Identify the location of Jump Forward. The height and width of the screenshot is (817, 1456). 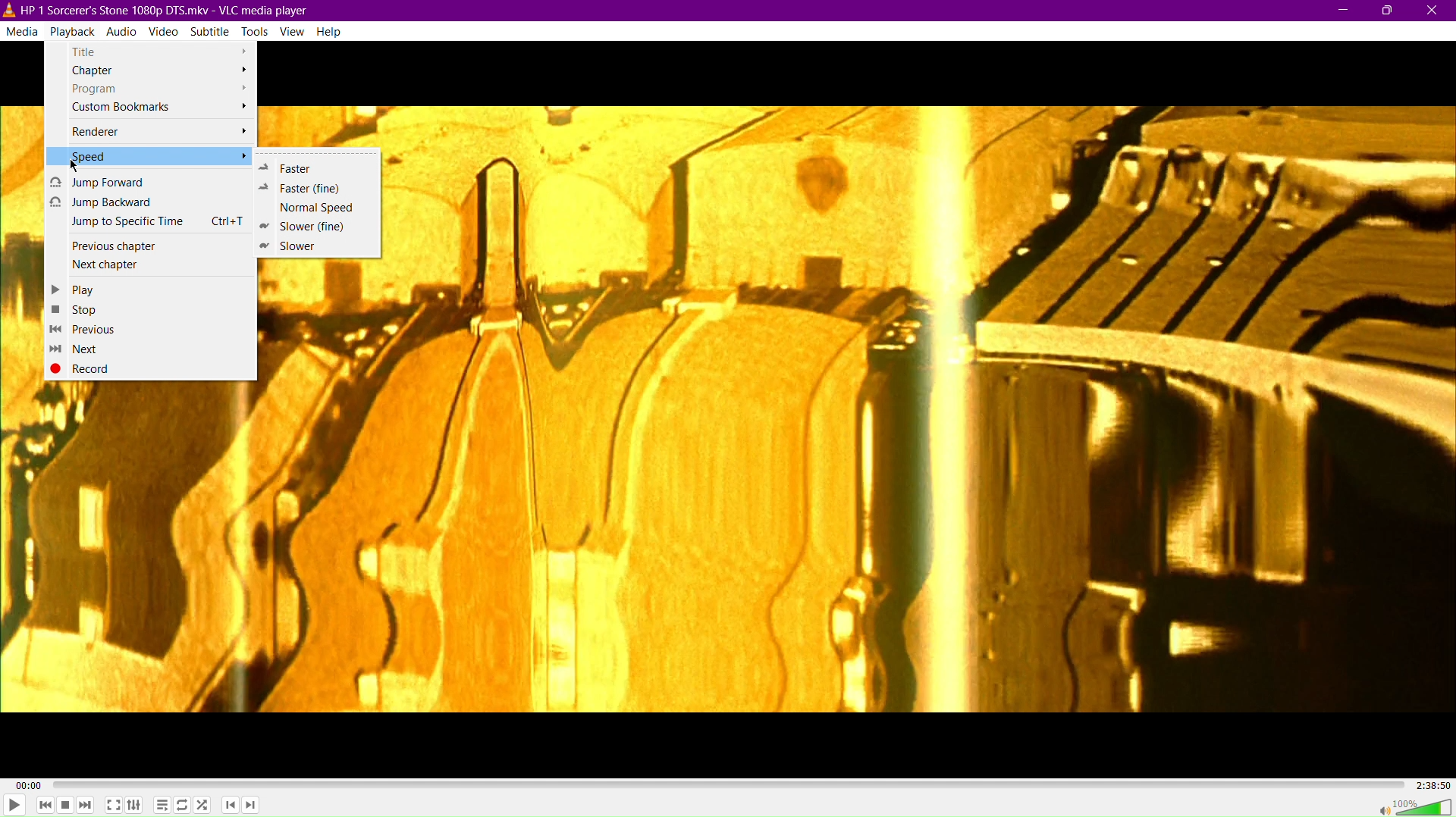
(149, 181).